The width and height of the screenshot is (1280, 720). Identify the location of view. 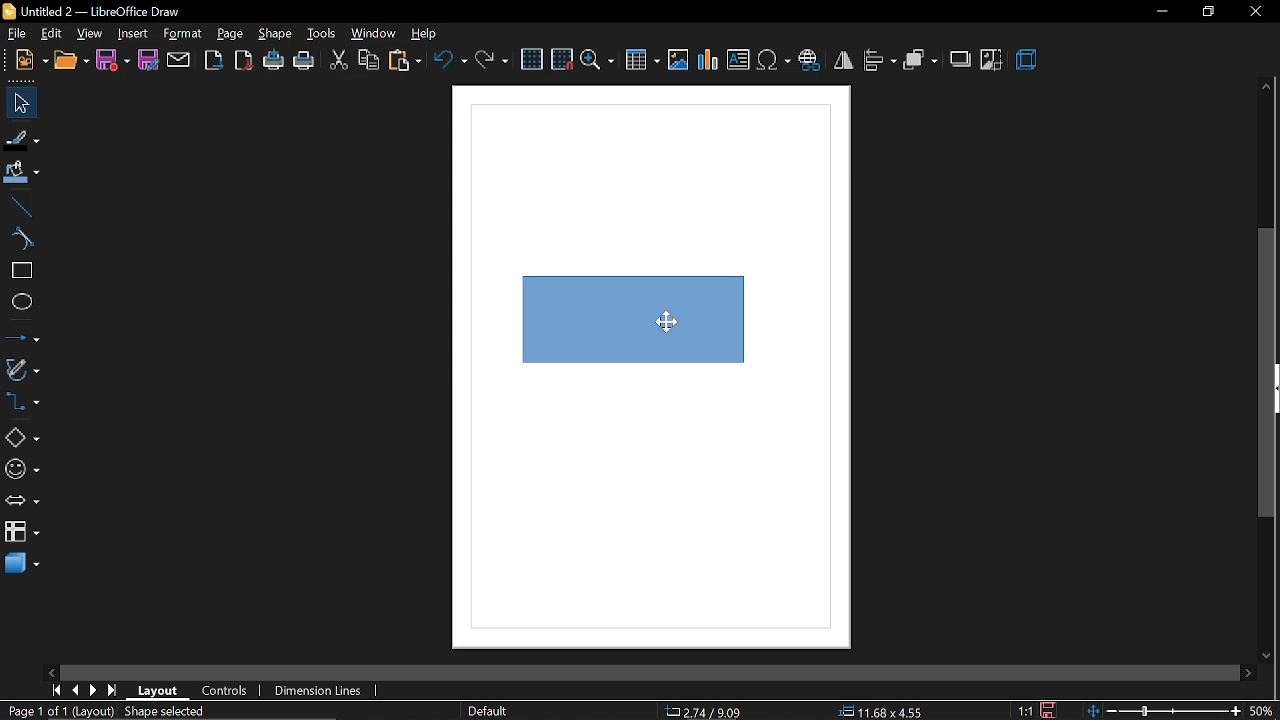
(92, 34).